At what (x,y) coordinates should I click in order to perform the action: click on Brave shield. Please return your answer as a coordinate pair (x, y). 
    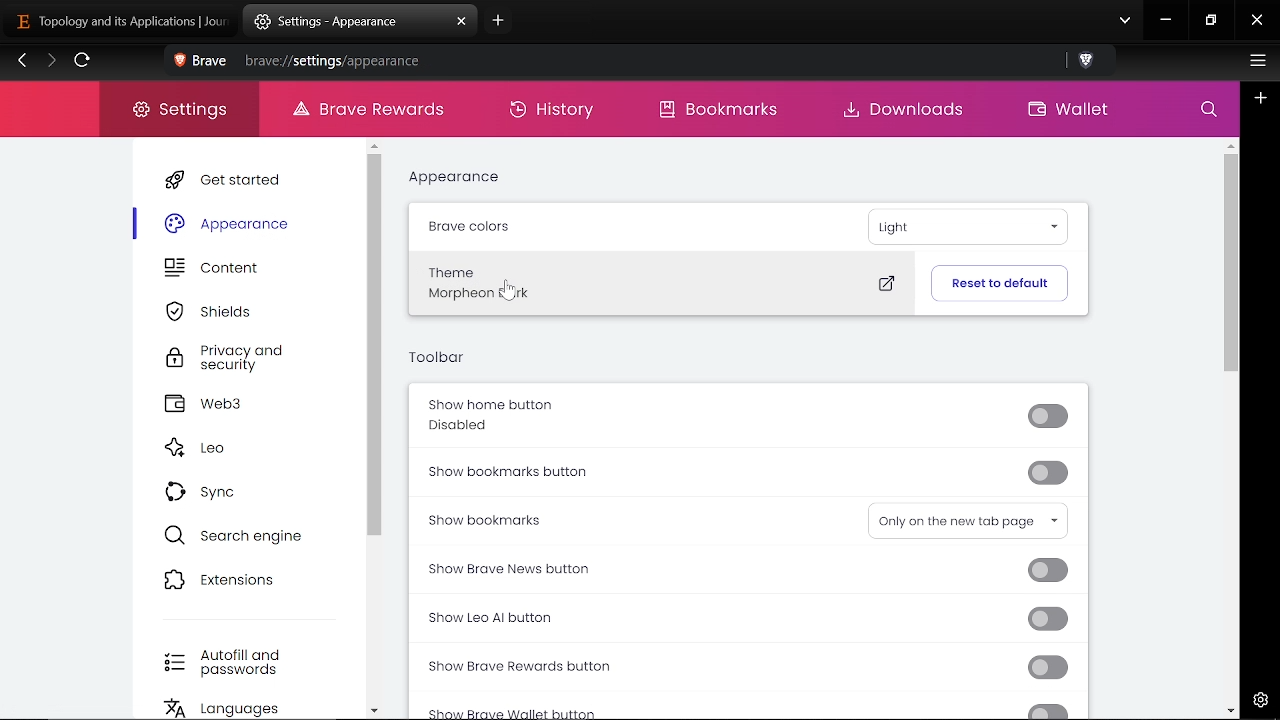
    Looking at the image, I should click on (1088, 62).